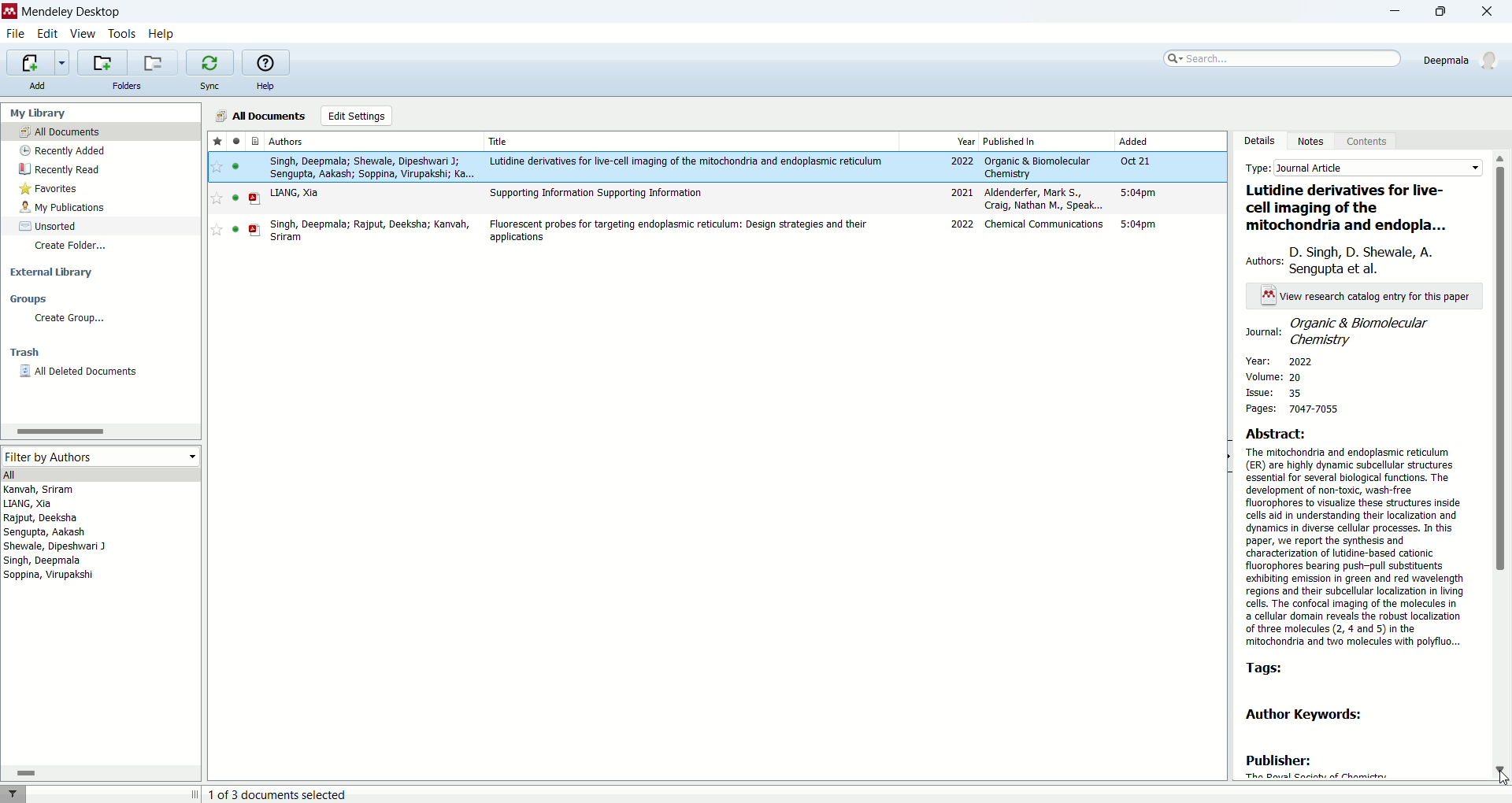  What do you see at coordinates (210, 63) in the screenshot?
I see `synchronize the library with mendeley web` at bounding box center [210, 63].